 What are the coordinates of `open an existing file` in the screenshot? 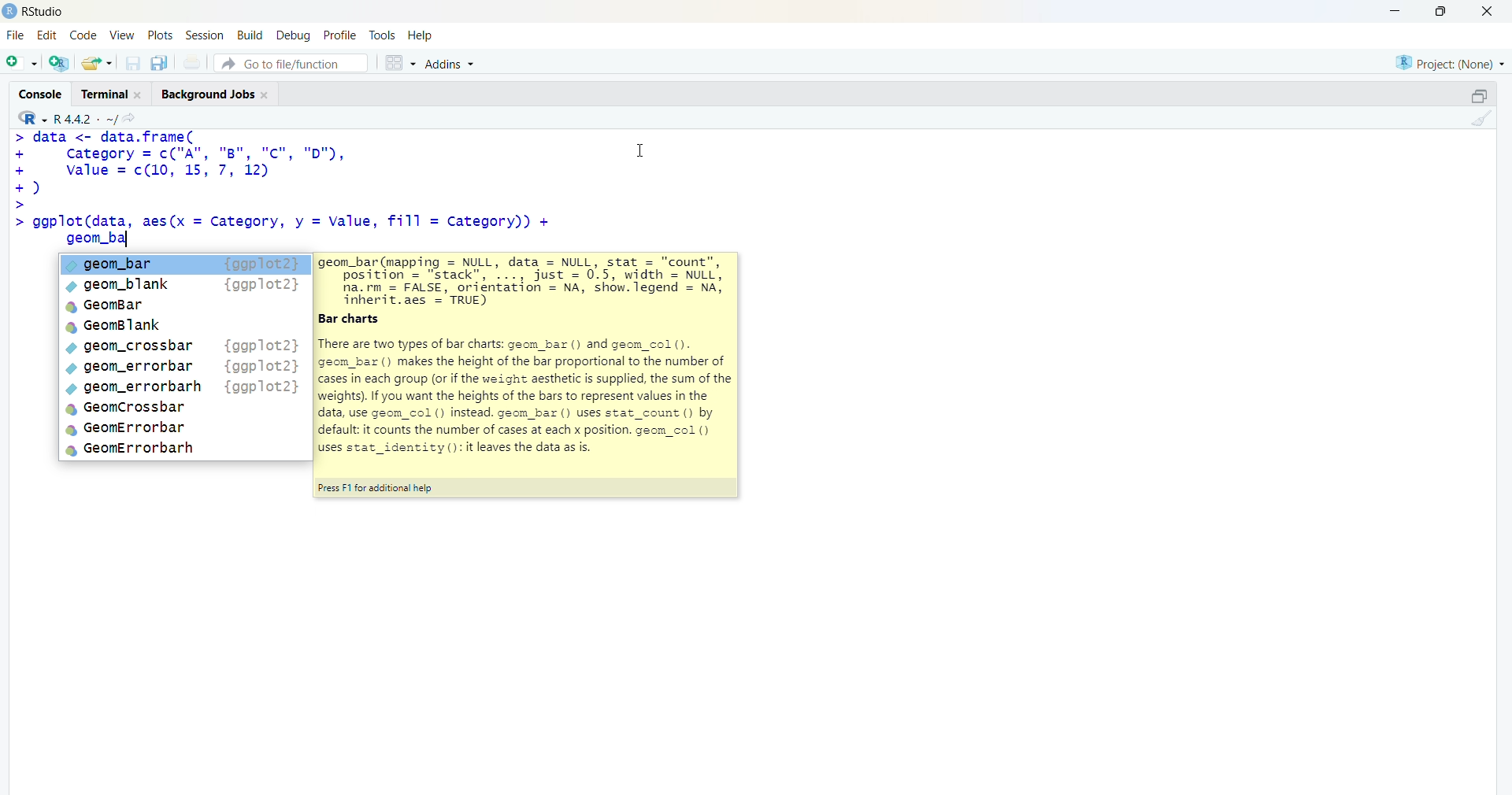 It's located at (96, 62).